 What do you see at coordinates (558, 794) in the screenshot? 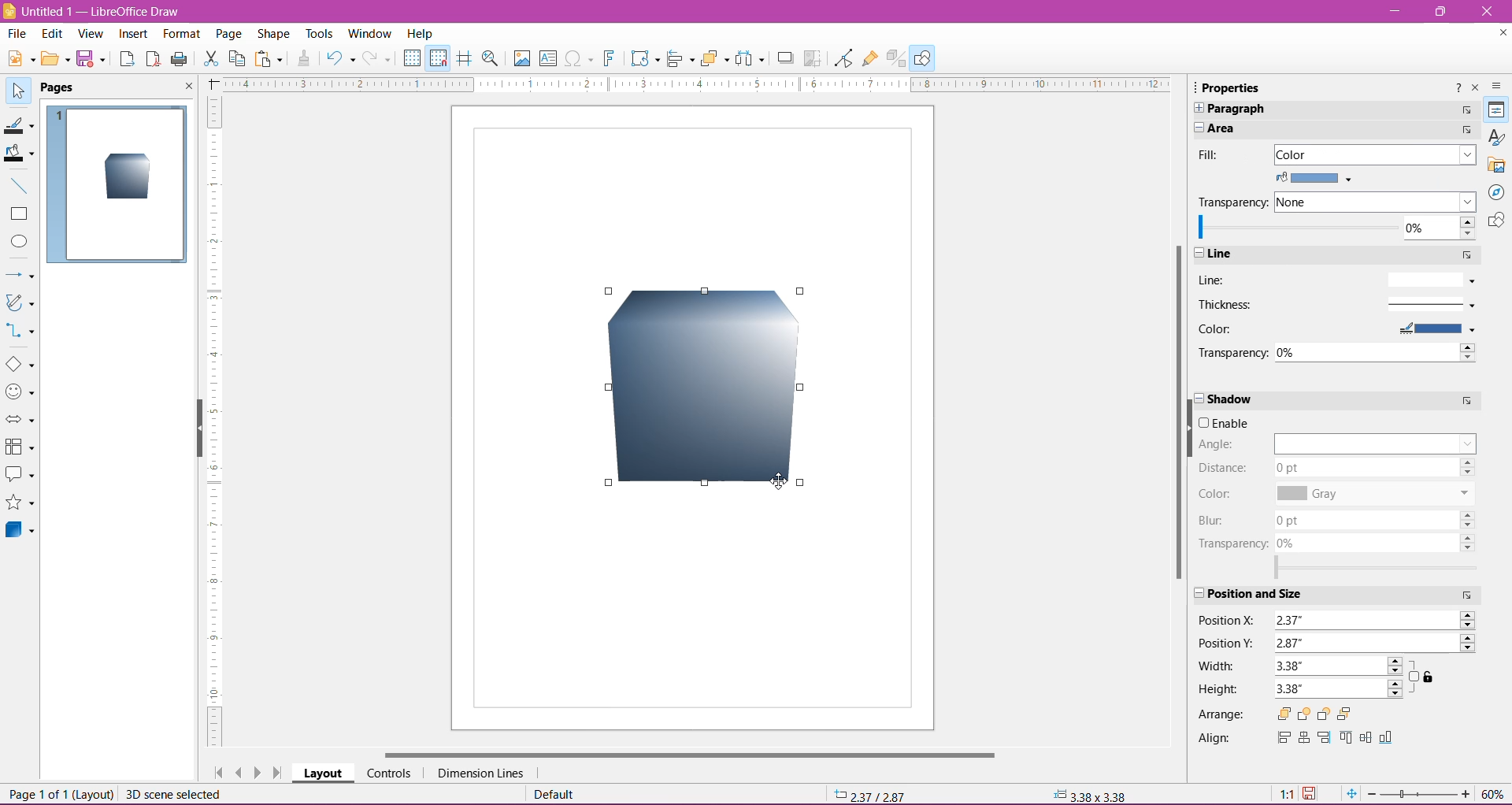
I see `Default` at bounding box center [558, 794].